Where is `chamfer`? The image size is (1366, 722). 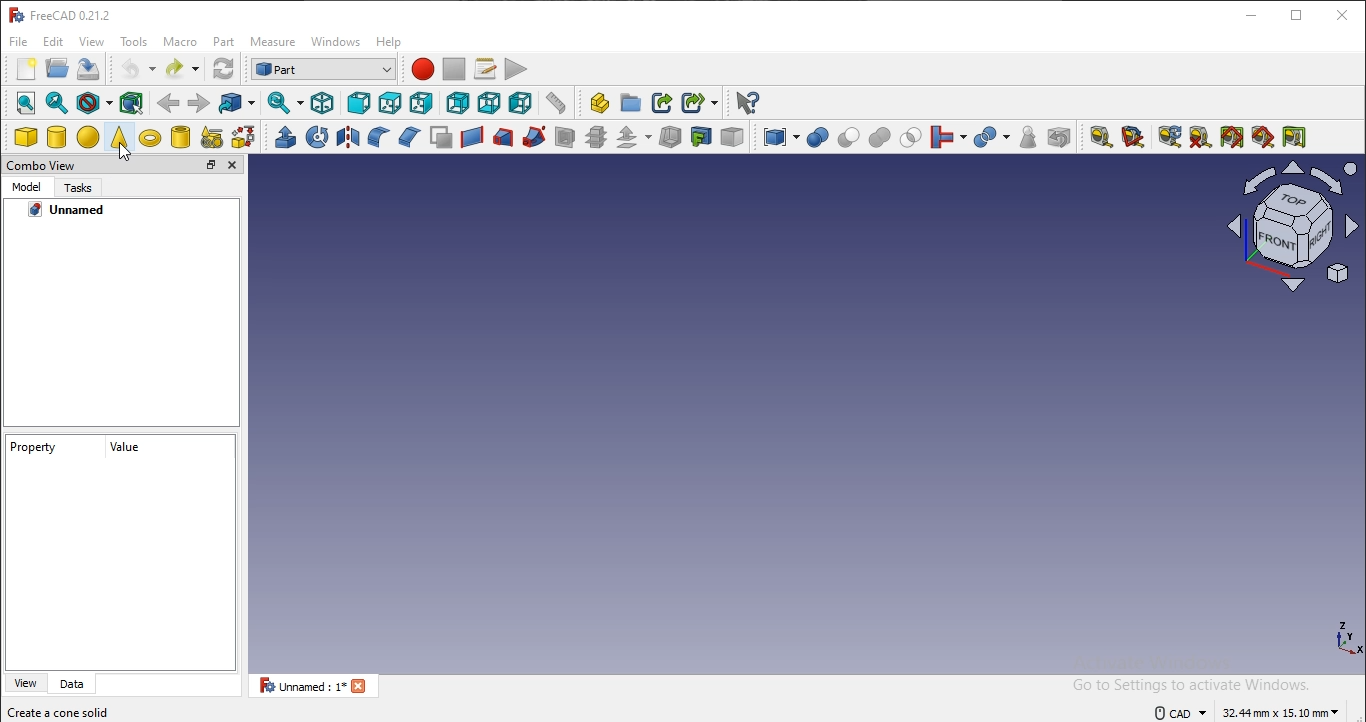 chamfer is located at coordinates (406, 137).